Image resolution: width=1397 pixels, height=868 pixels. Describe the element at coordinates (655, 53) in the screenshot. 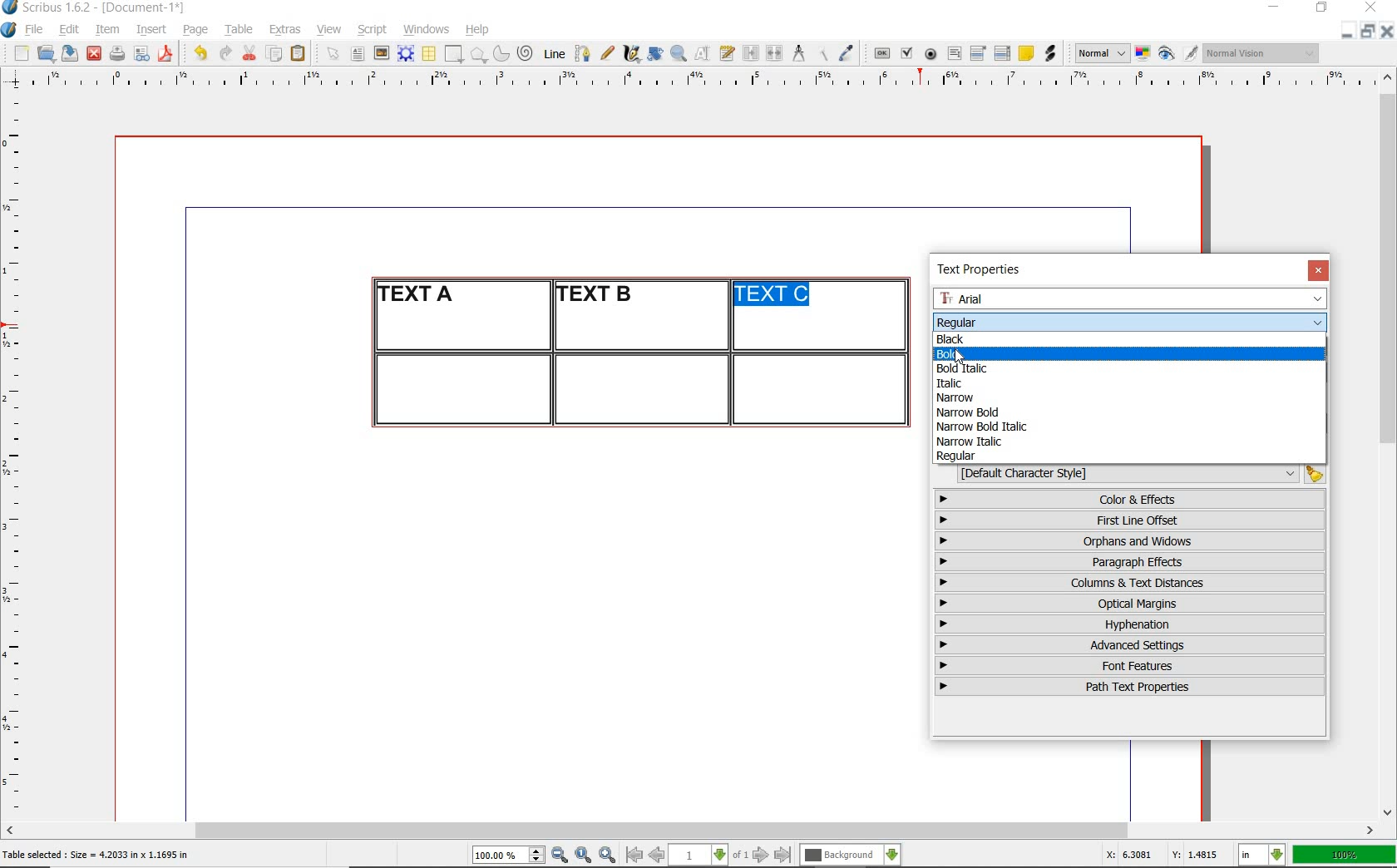

I see `rotate item` at that location.